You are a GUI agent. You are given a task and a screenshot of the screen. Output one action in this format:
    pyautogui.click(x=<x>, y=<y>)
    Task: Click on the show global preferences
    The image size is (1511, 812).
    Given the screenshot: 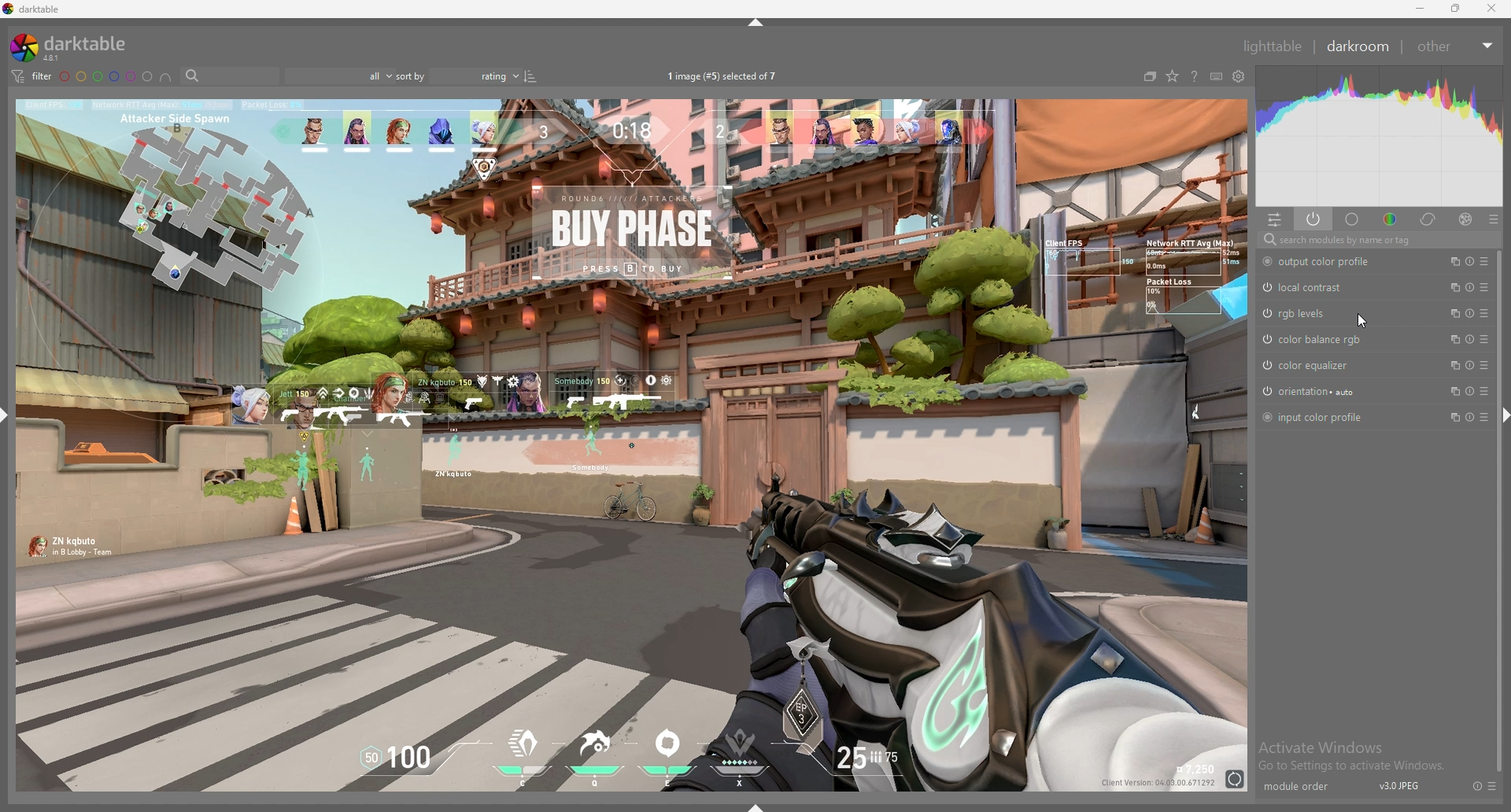 What is the action you would take?
    pyautogui.click(x=1239, y=77)
    